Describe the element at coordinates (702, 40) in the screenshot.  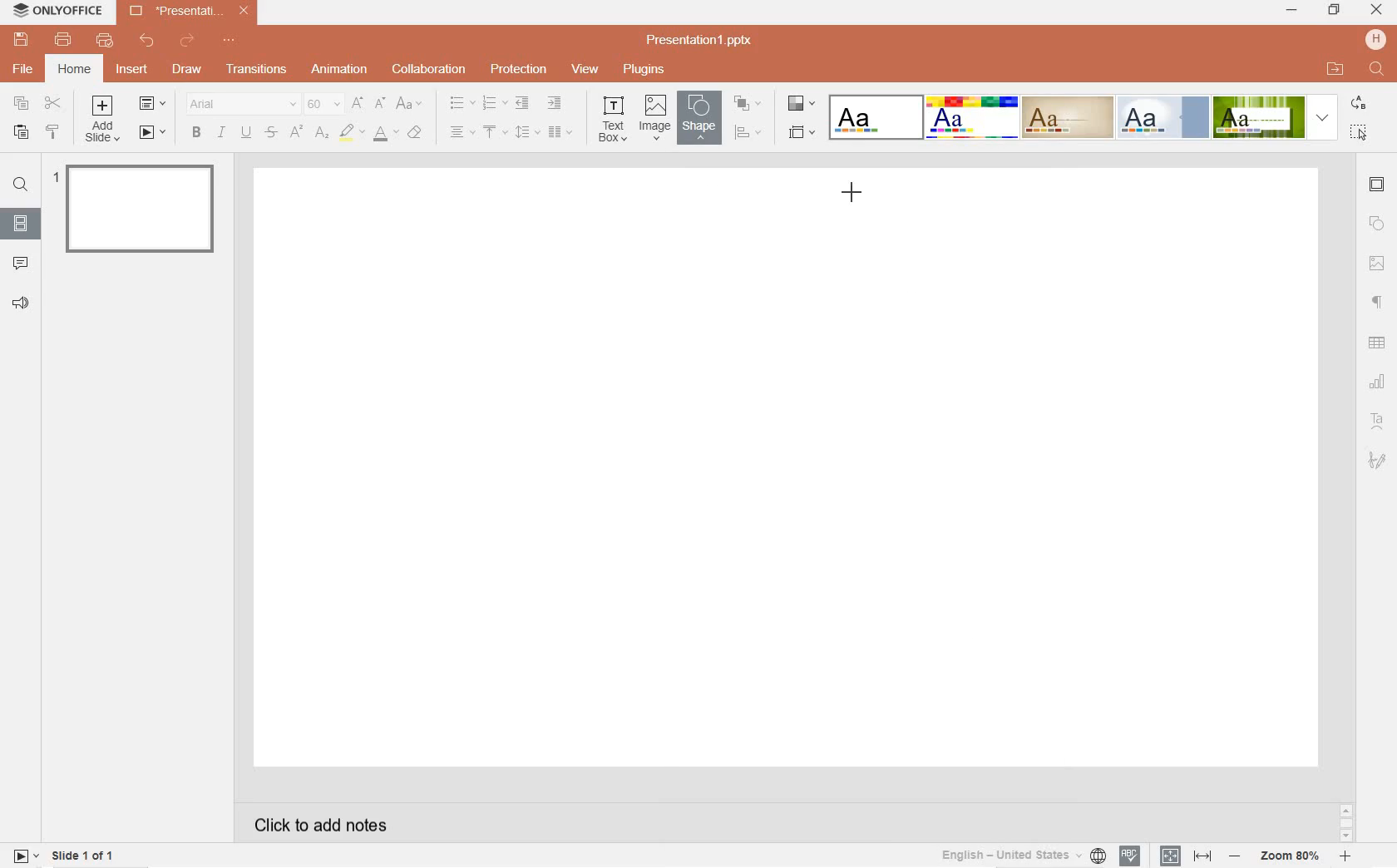
I see `Presentation1.pptx` at that location.